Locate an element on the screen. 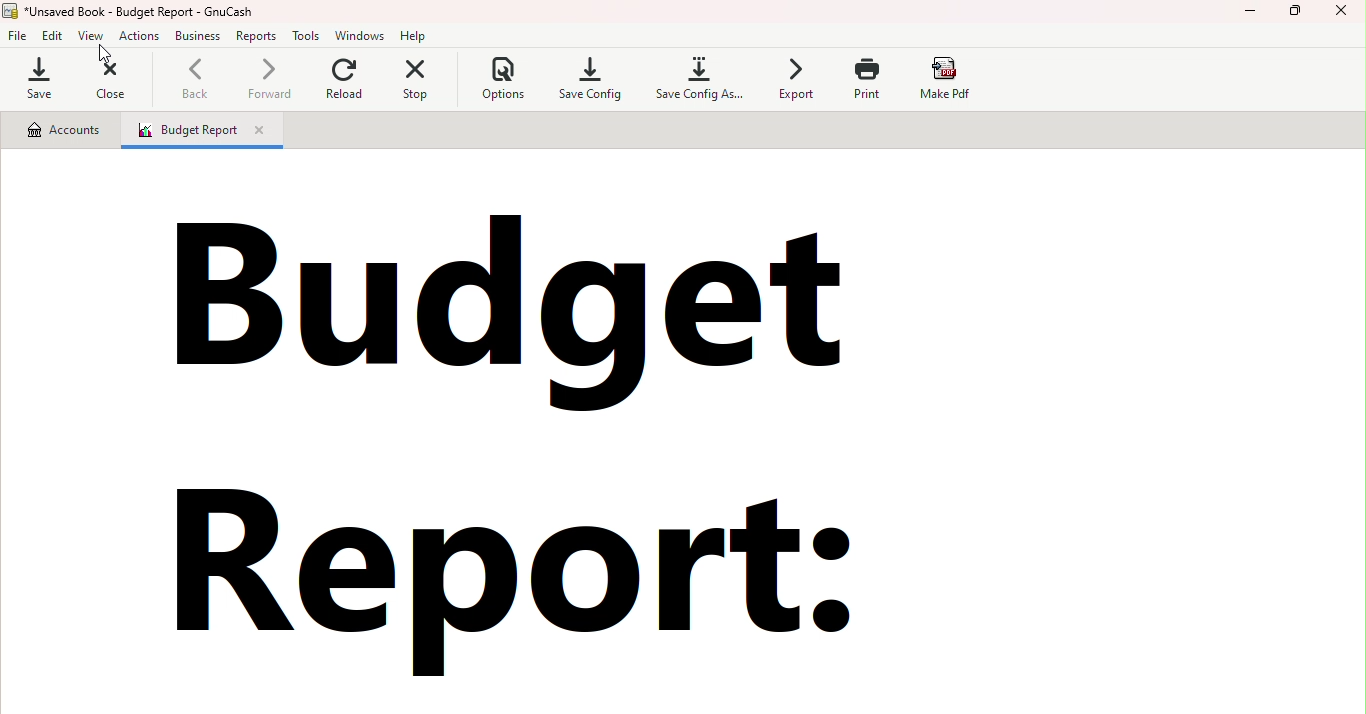 The height and width of the screenshot is (714, 1366). Accounts is located at coordinates (63, 130).